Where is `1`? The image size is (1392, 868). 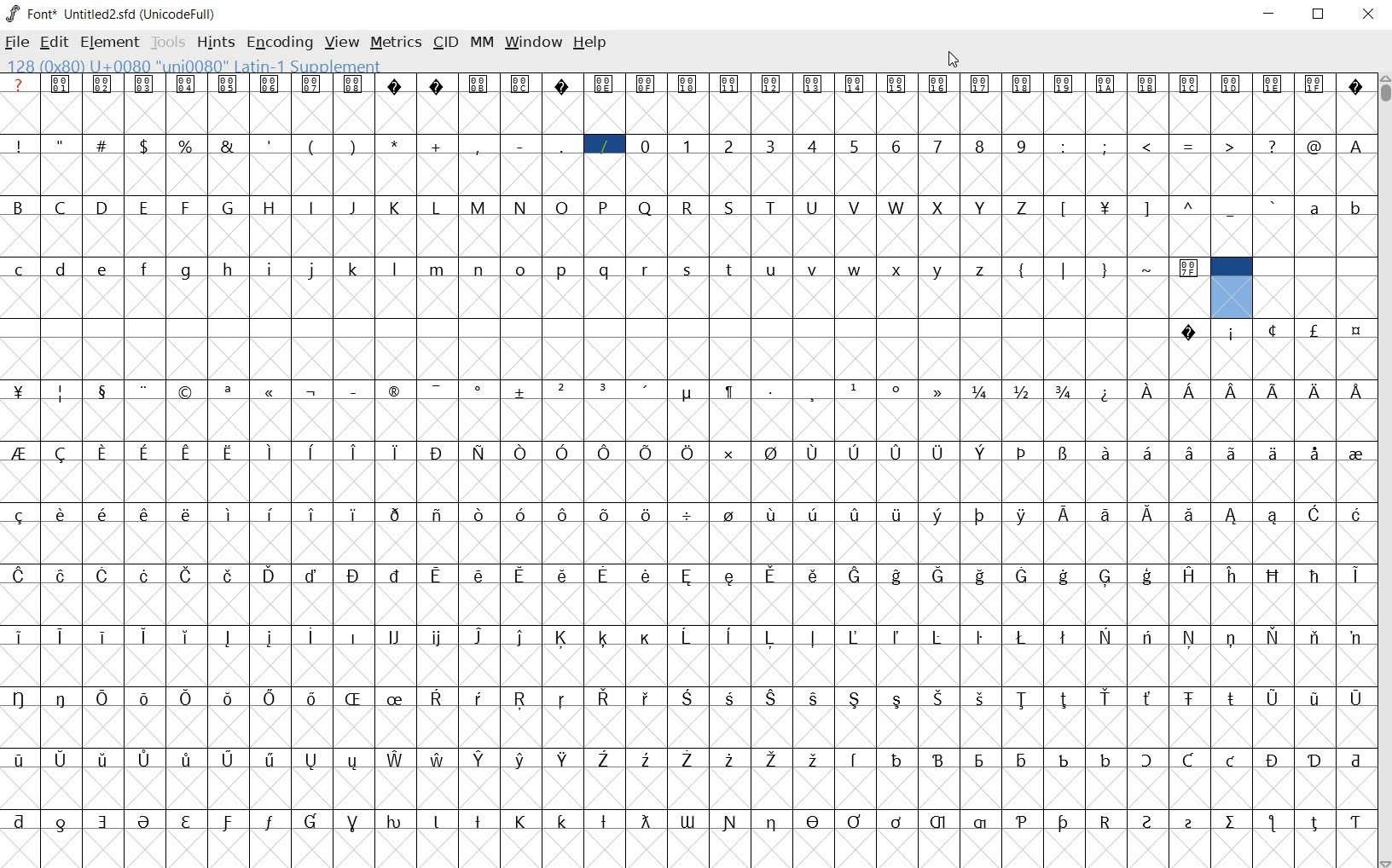
1 is located at coordinates (688, 144).